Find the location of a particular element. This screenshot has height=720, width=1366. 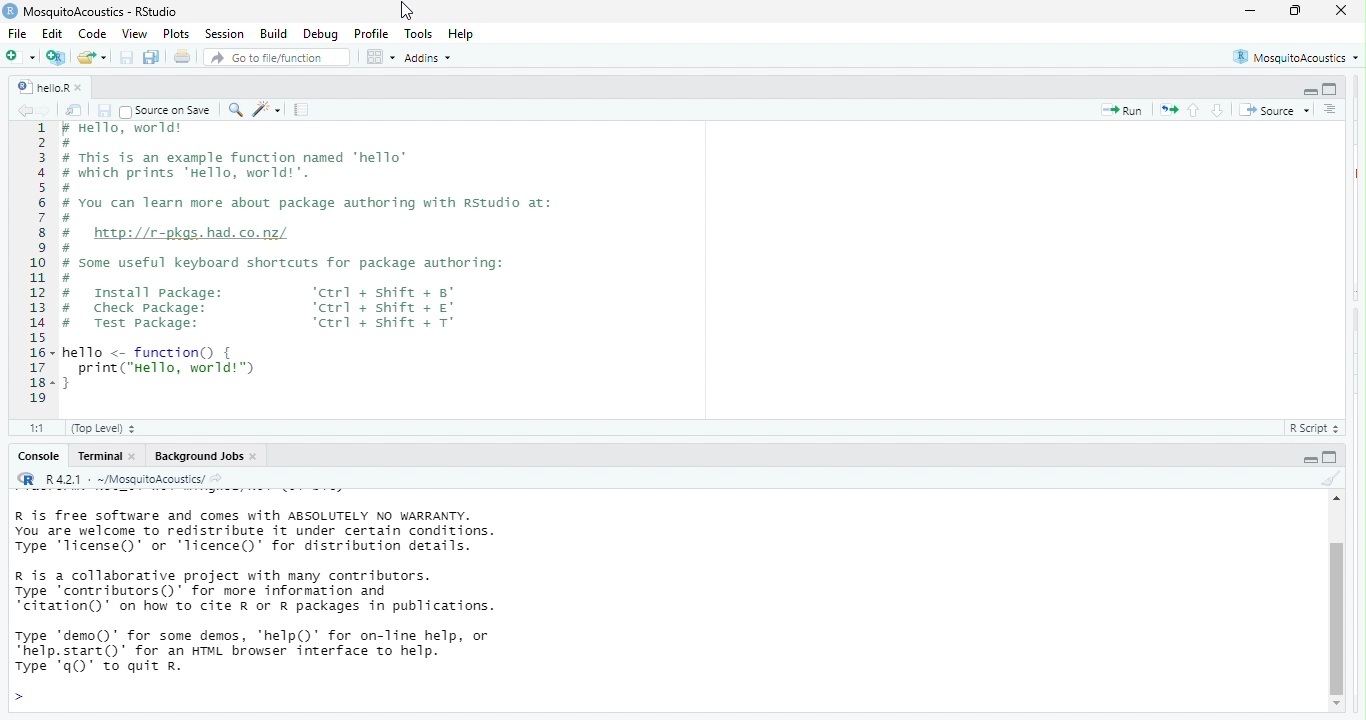

go to next section/chunk is located at coordinates (1216, 111).